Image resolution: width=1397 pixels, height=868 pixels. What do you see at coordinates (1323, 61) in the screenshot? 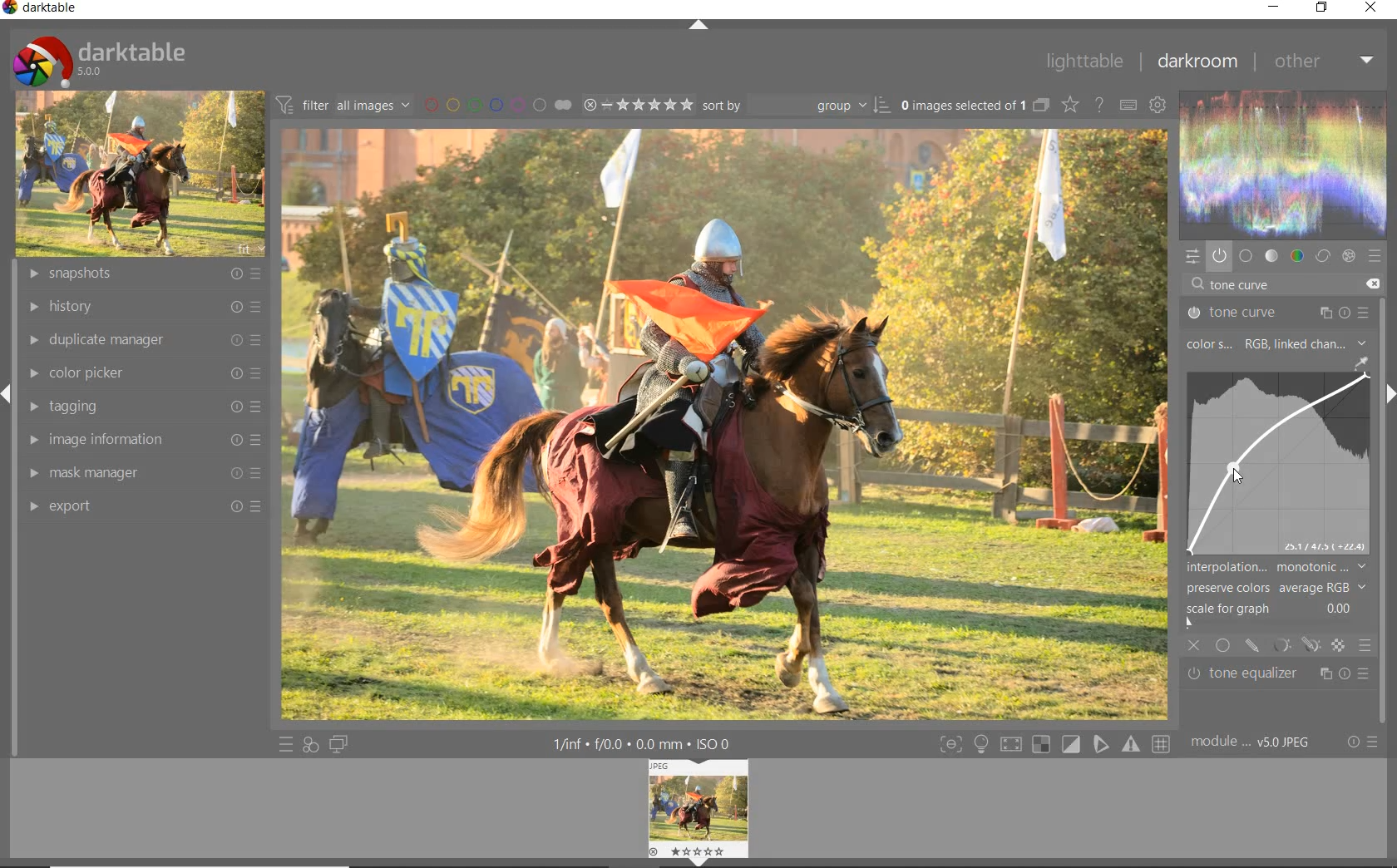
I see `other` at bounding box center [1323, 61].